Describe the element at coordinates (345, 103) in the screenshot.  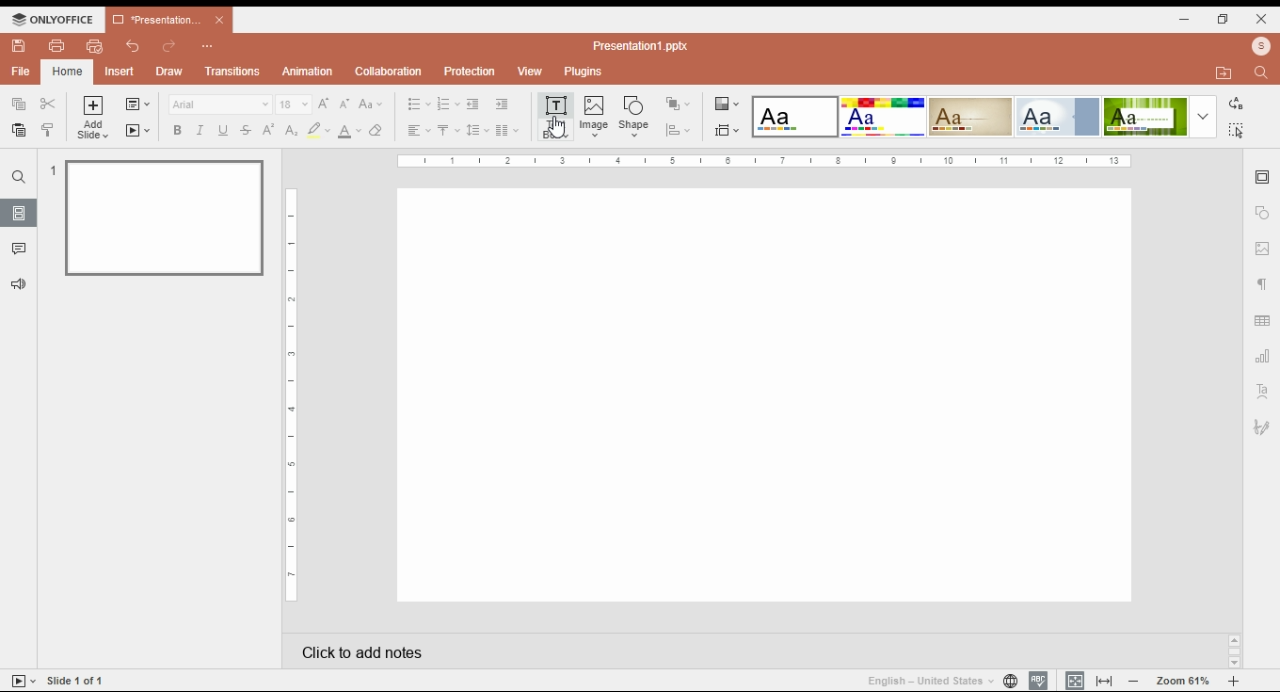
I see `decrement font size` at that location.